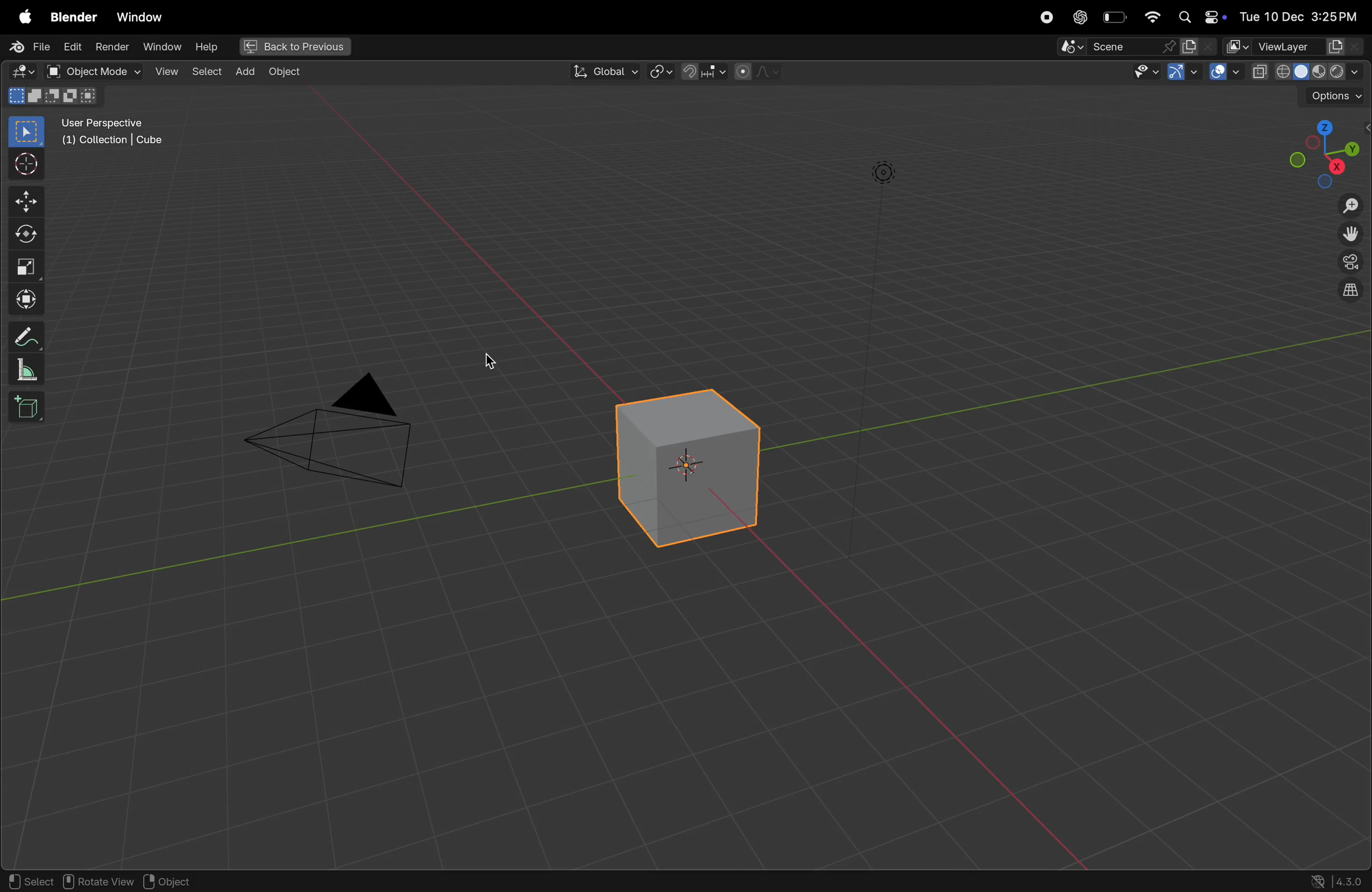 The height and width of the screenshot is (892, 1372). What do you see at coordinates (1150, 17) in the screenshot?
I see `Wifi` at bounding box center [1150, 17].